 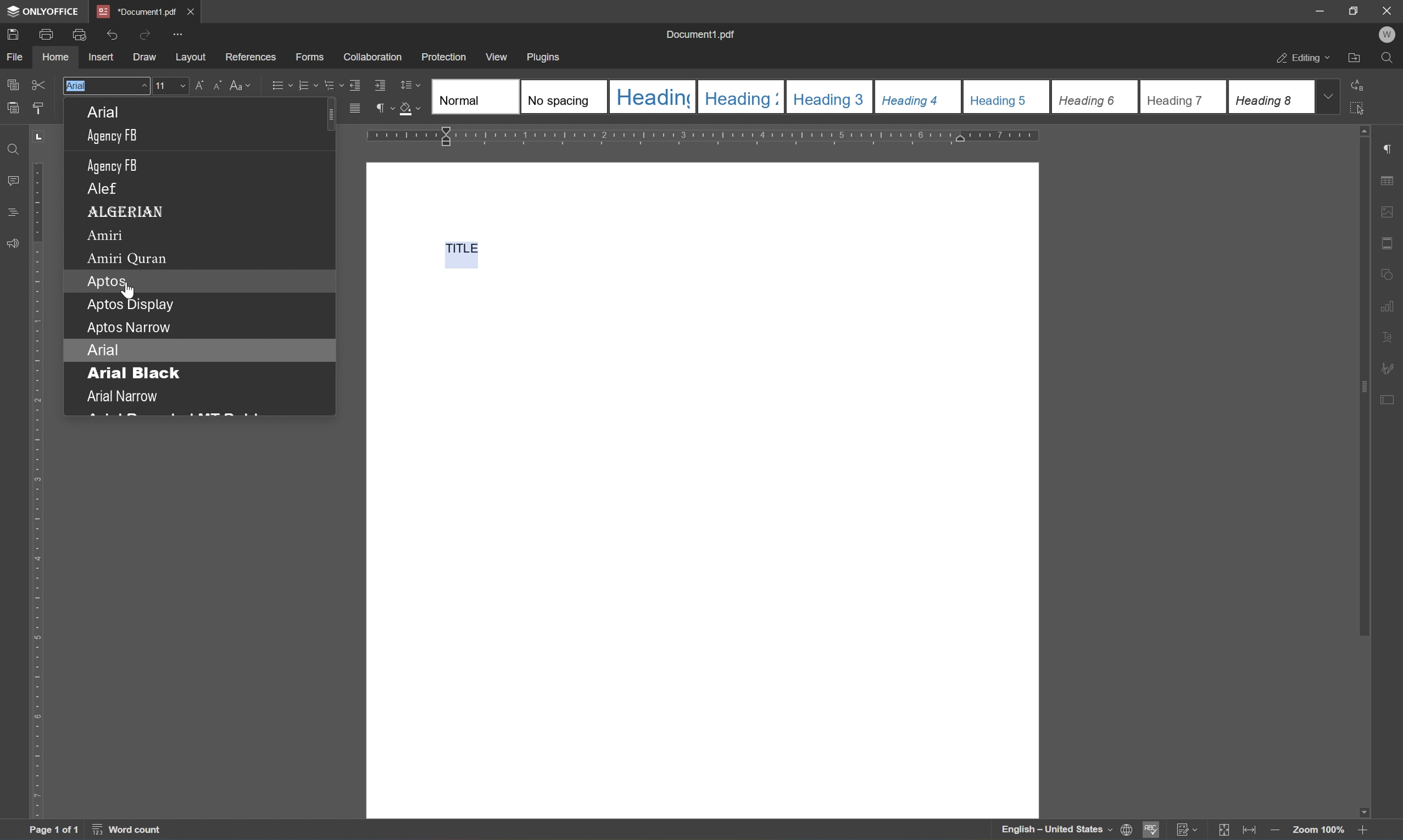 I want to click on bullets, so click(x=280, y=84).